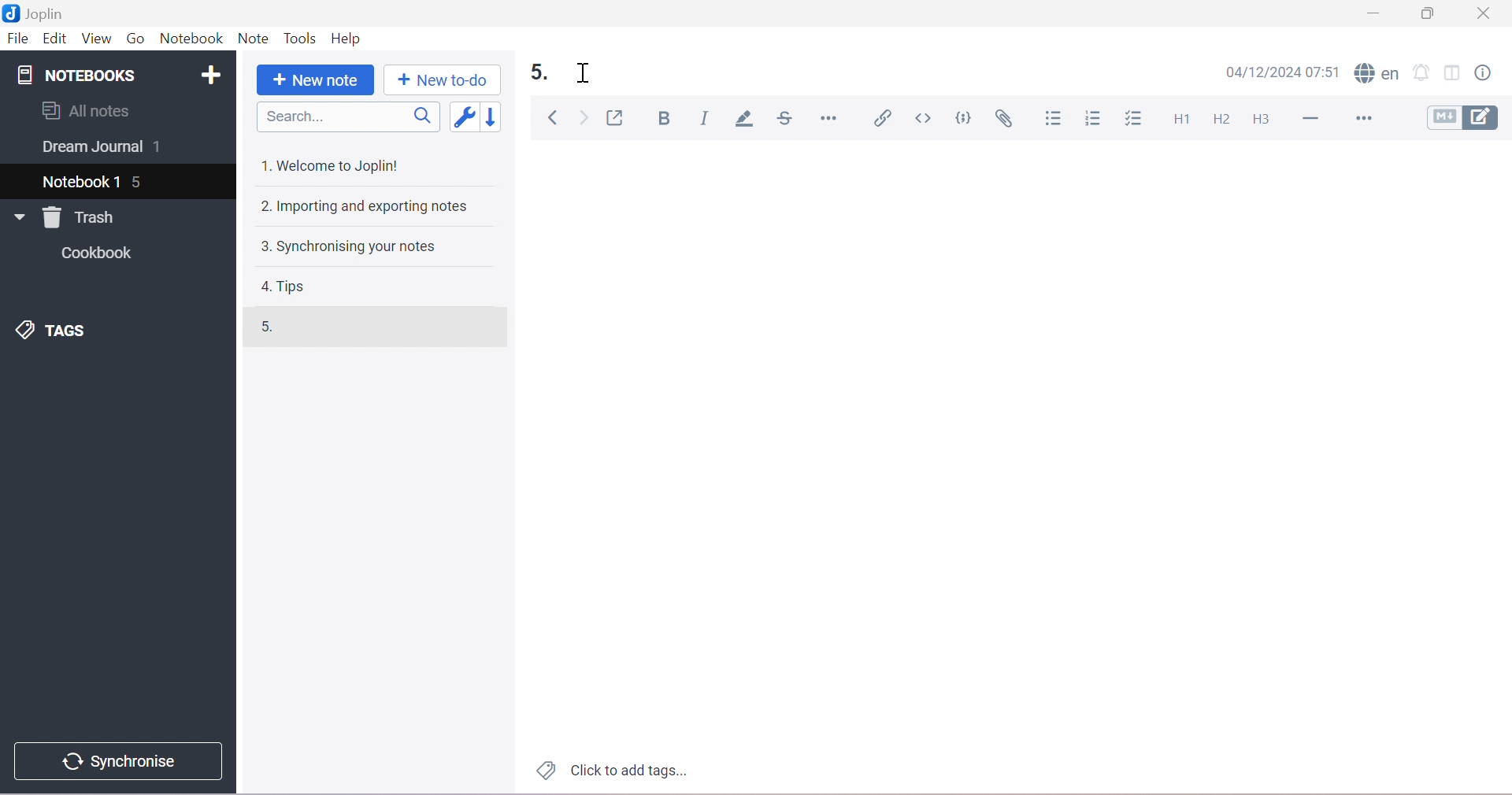 This screenshot has height=795, width=1512. What do you see at coordinates (1371, 16) in the screenshot?
I see `Minimize` at bounding box center [1371, 16].